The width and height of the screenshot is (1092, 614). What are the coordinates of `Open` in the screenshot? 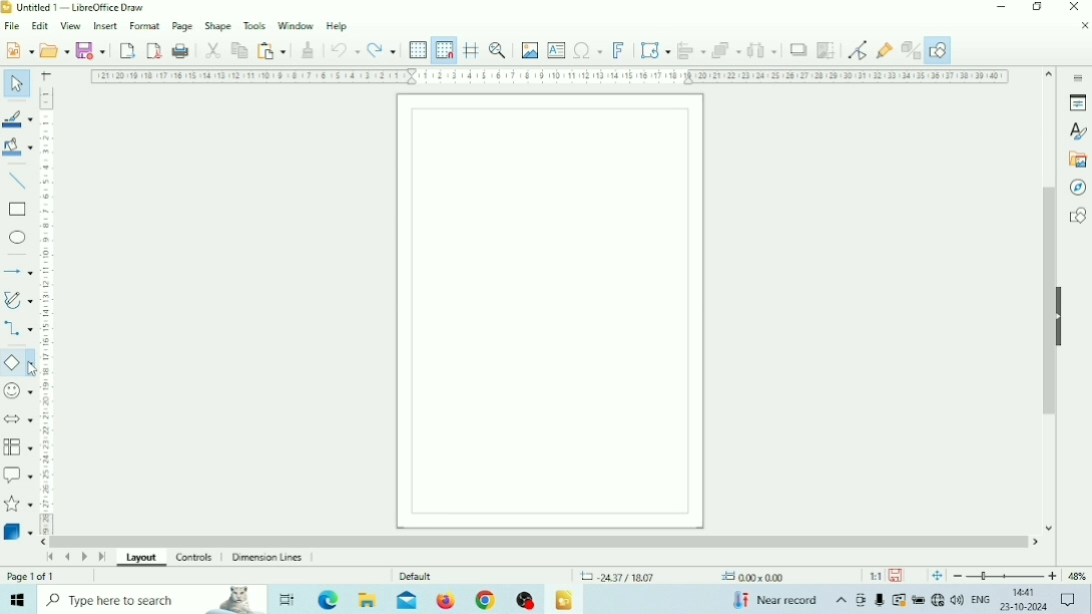 It's located at (54, 50).